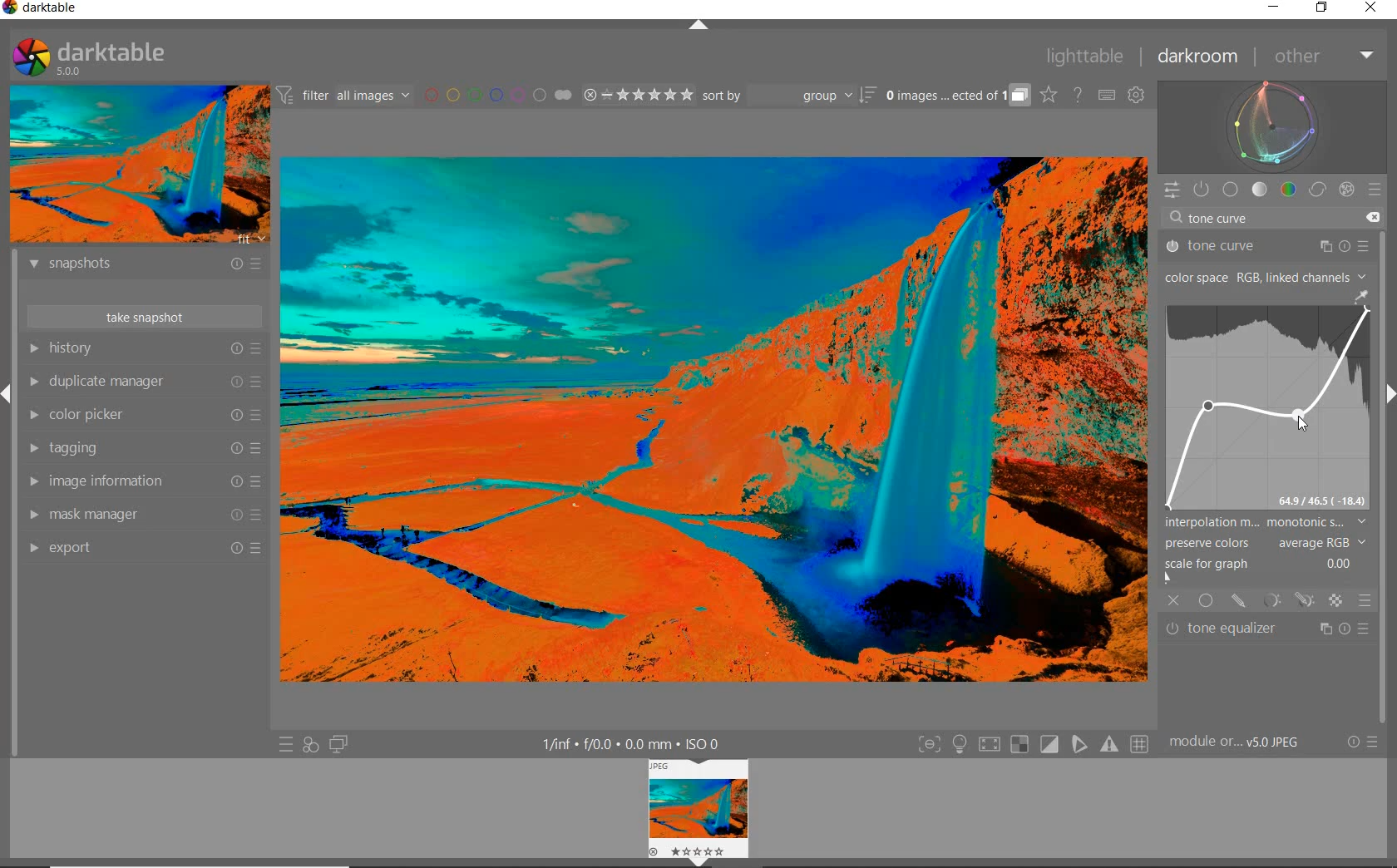  I want to click on tone equalizer, so click(1269, 628).